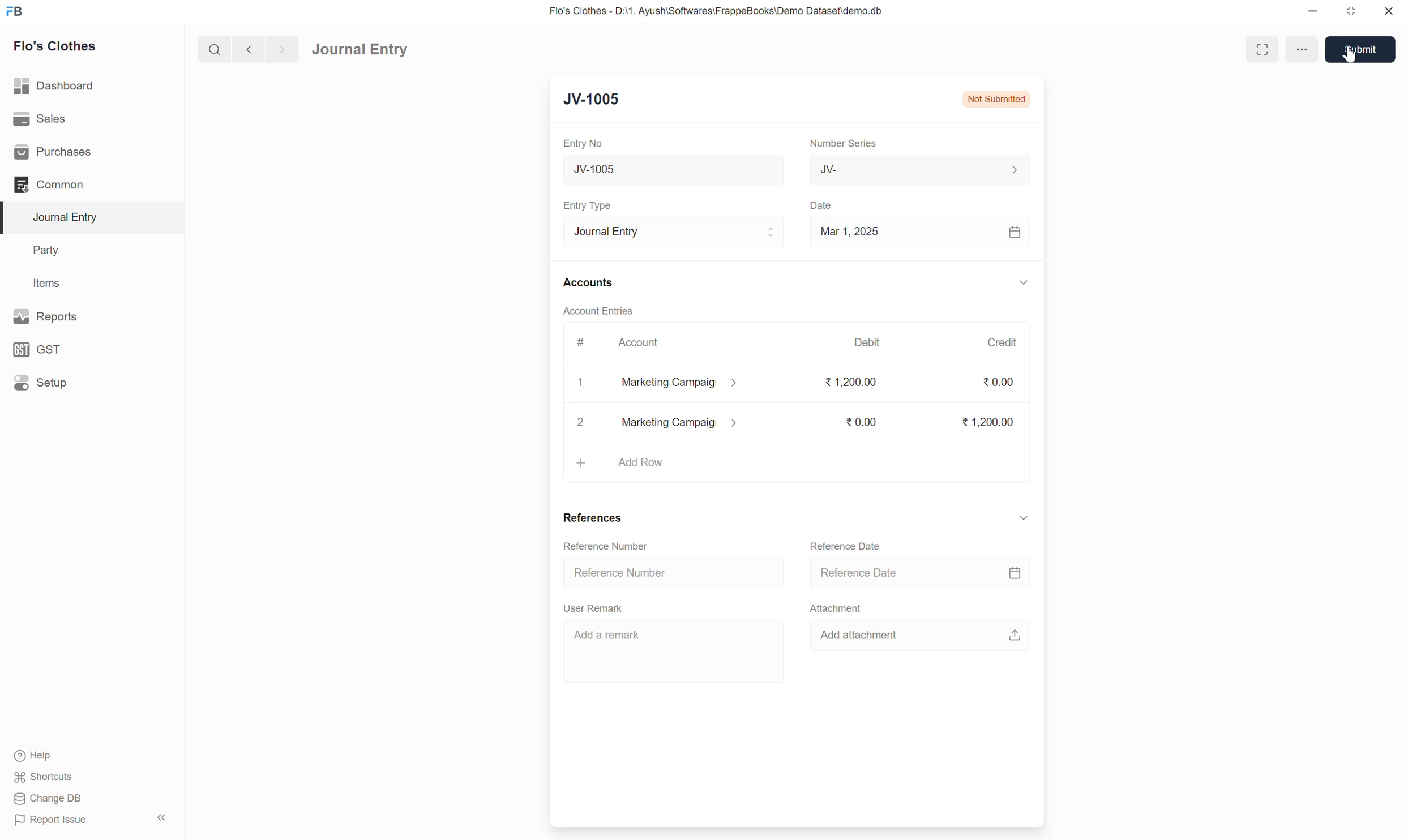 The width and height of the screenshot is (1408, 840). I want to click on marketing campaig, so click(681, 422).